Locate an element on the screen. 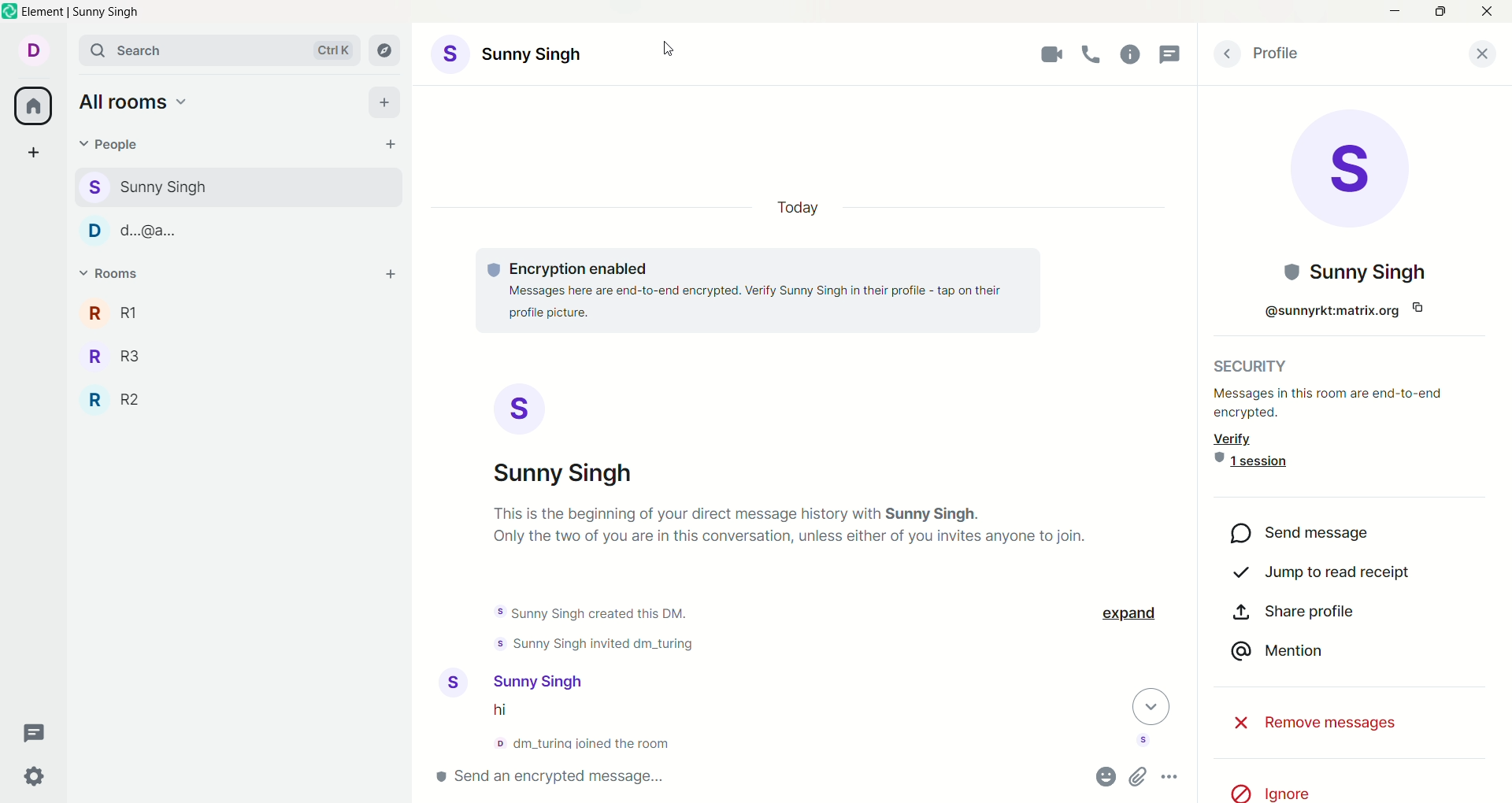 This screenshot has height=803, width=1512. text is located at coordinates (802, 533).